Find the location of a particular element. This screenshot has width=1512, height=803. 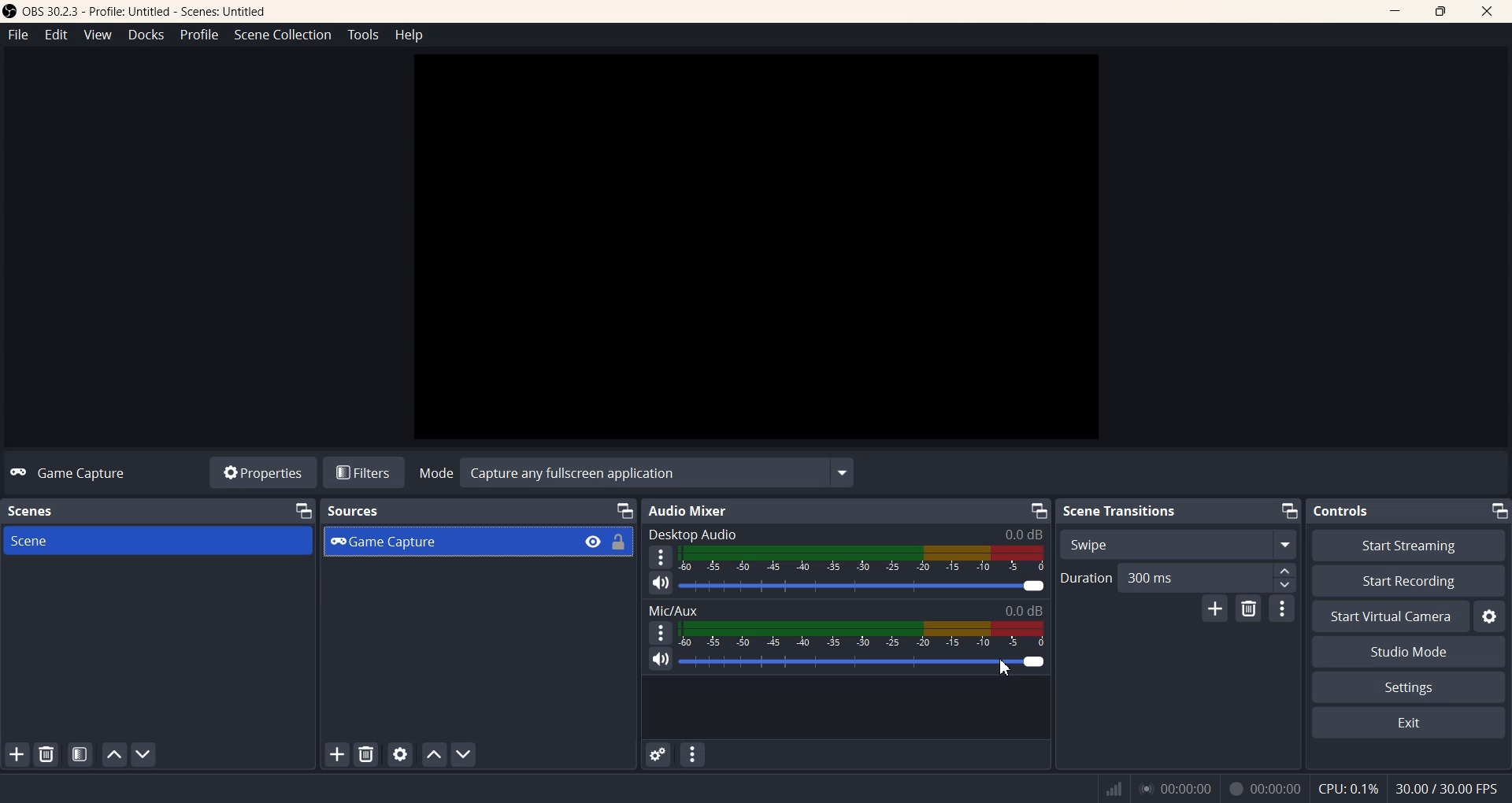

Text is located at coordinates (1299, 788).